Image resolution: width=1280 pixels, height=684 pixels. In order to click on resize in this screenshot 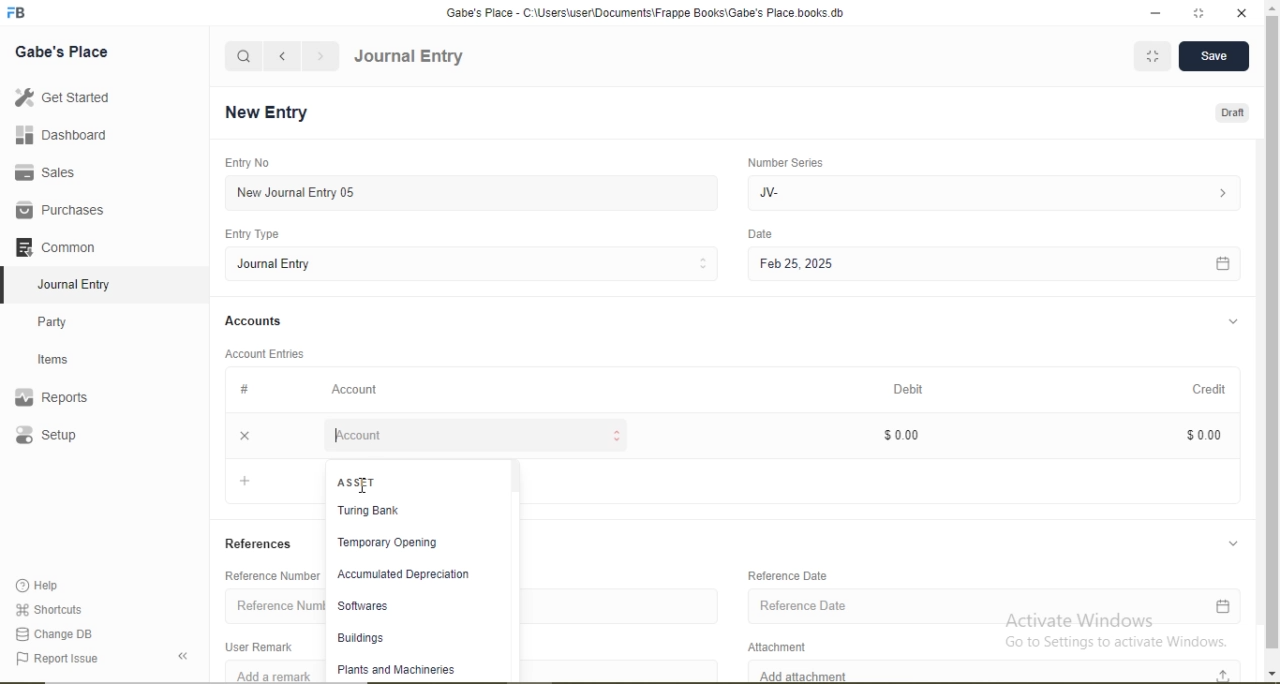, I will do `click(1202, 14)`.